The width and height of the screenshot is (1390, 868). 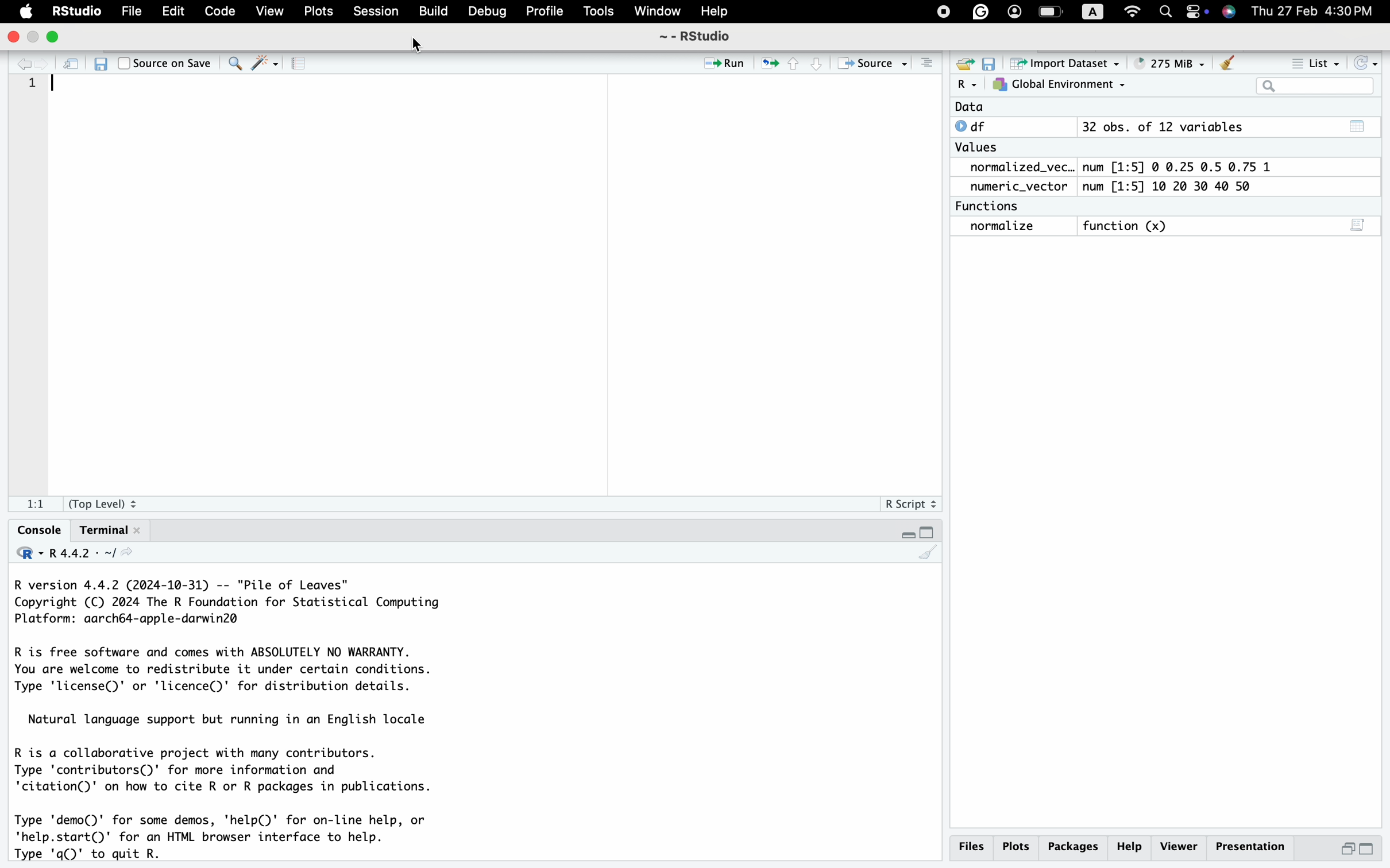 I want to click on clear console, so click(x=928, y=556).